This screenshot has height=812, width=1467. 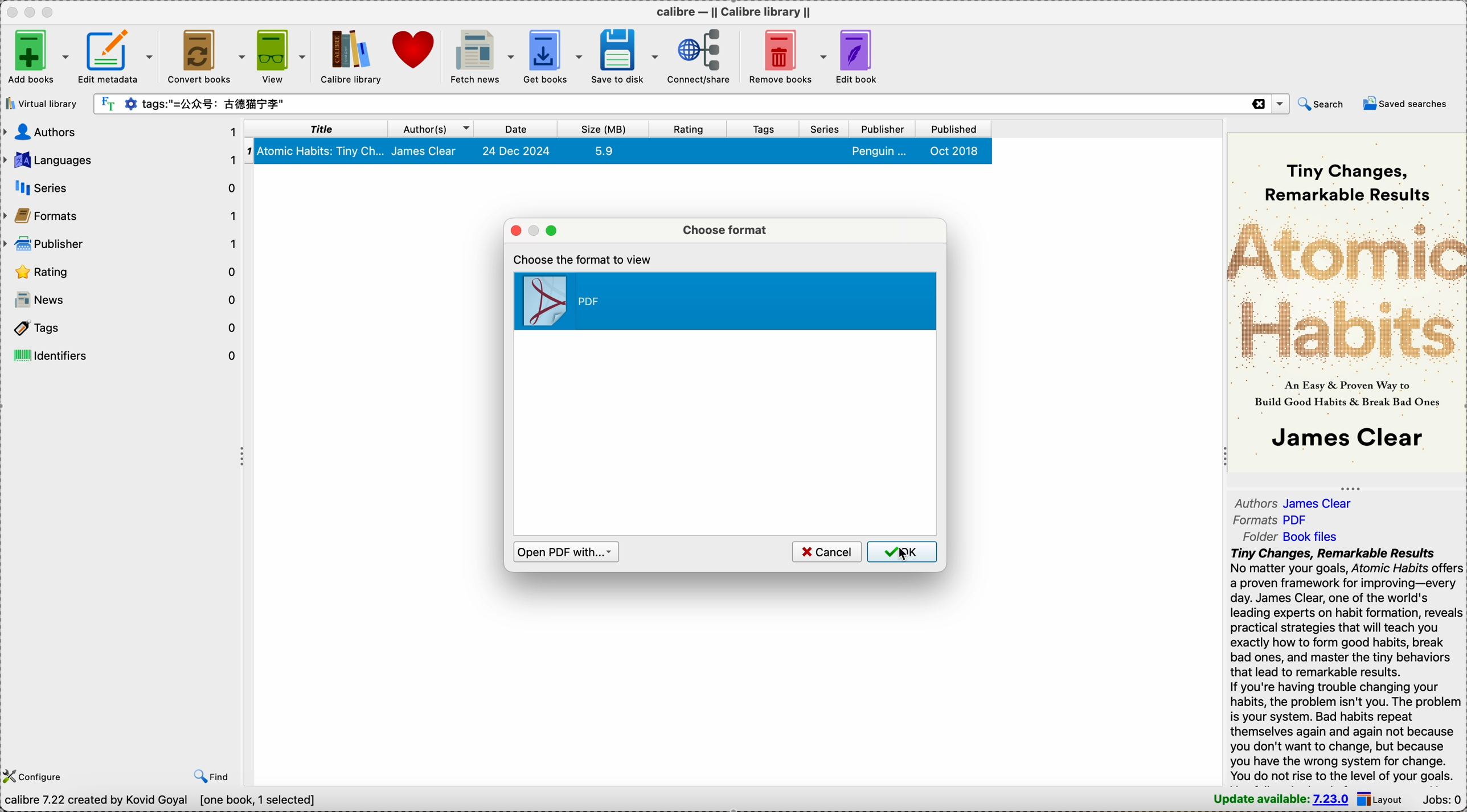 What do you see at coordinates (120, 187) in the screenshot?
I see `series` at bounding box center [120, 187].